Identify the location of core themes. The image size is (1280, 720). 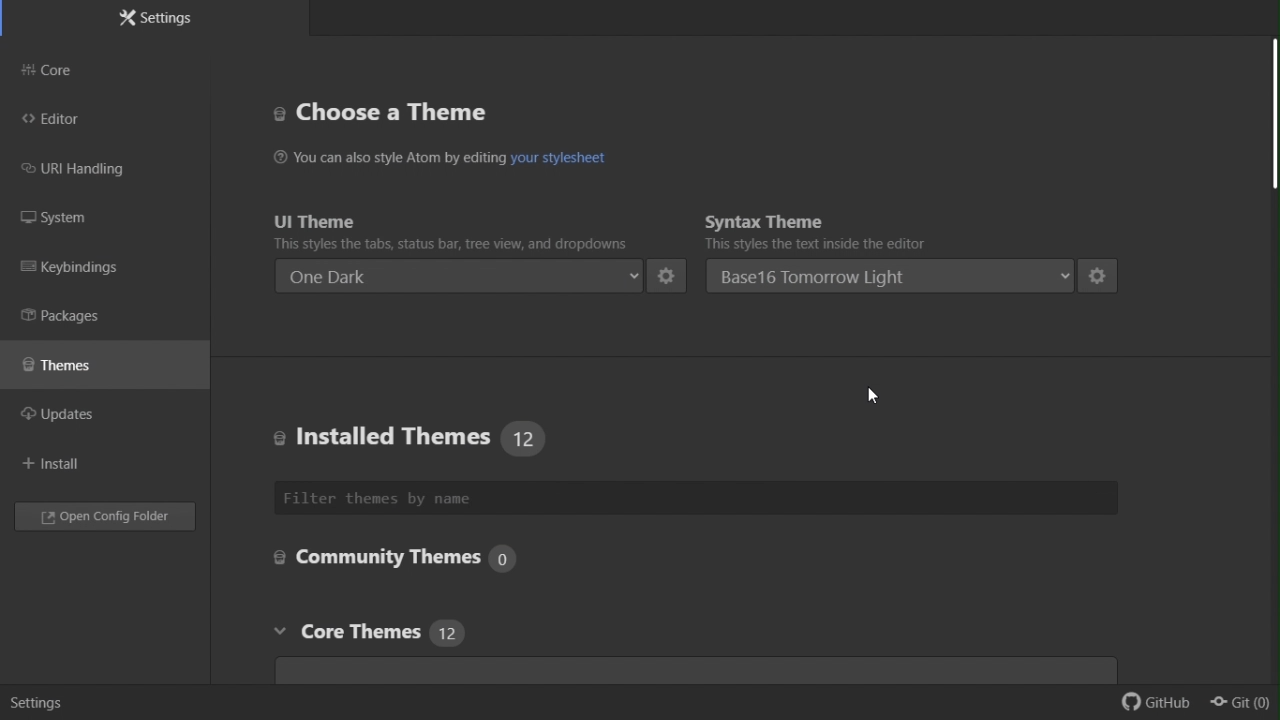
(405, 634).